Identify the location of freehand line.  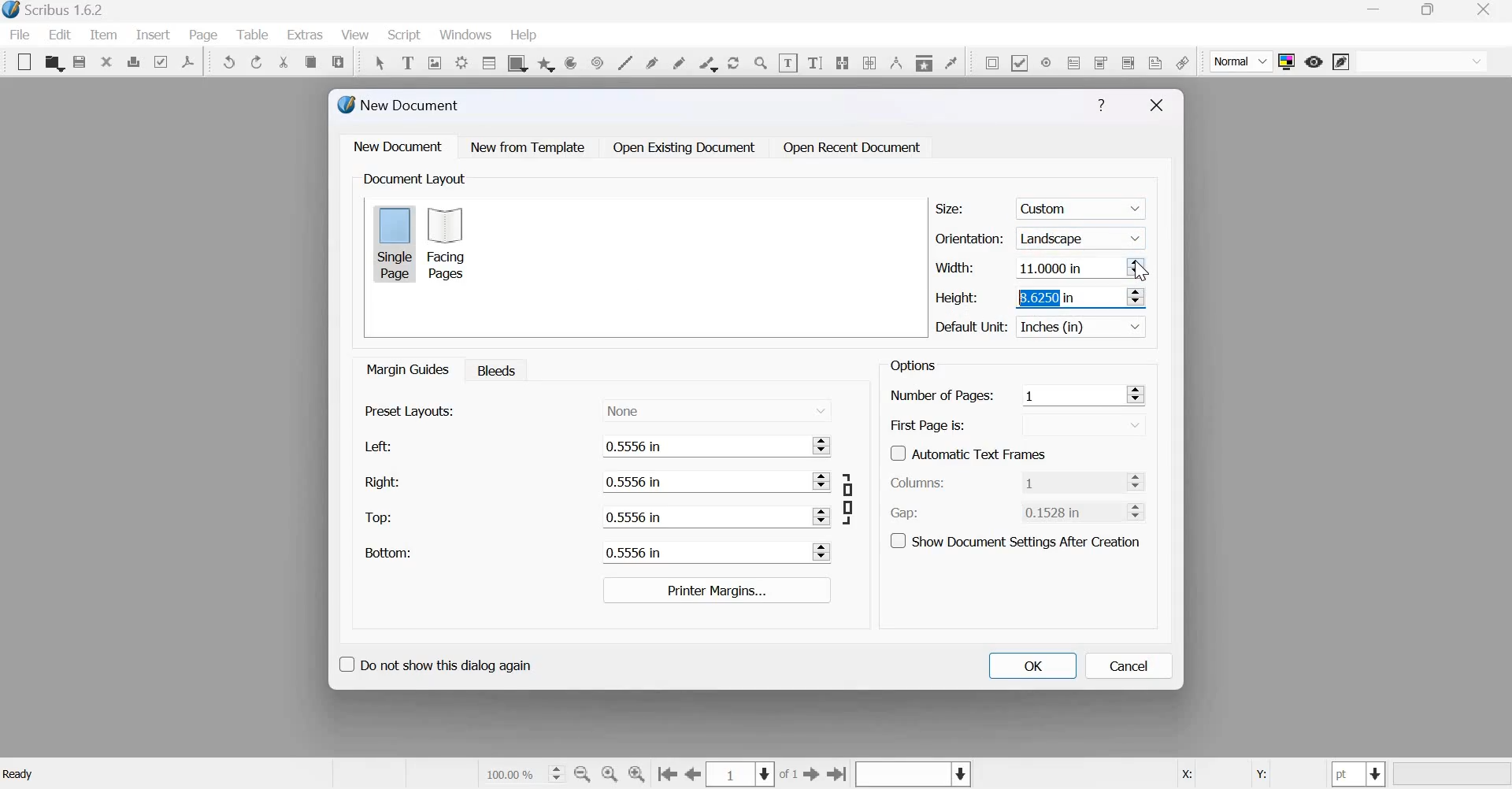
(679, 61).